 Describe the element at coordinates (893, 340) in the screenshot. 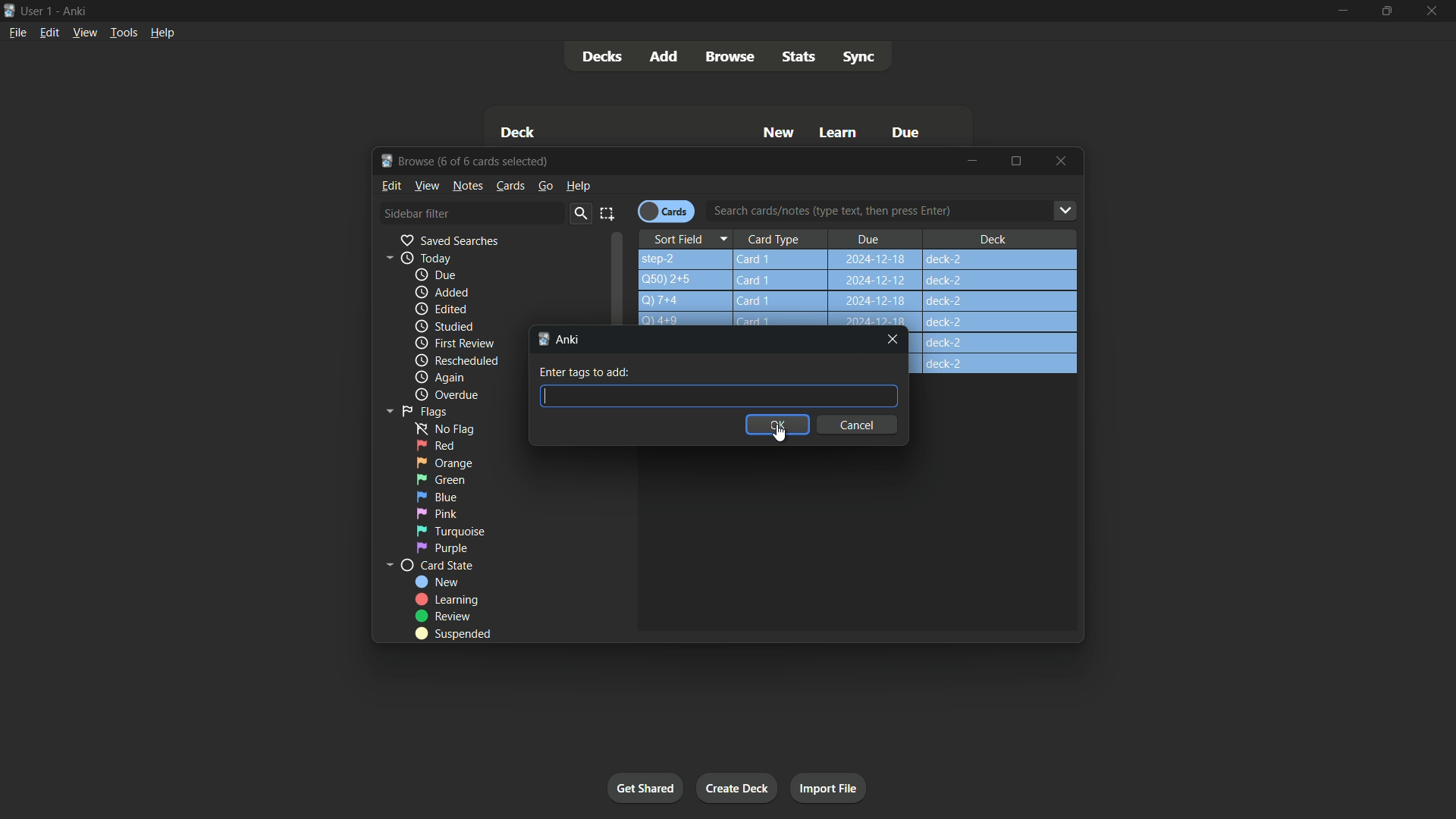

I see `Close` at that location.